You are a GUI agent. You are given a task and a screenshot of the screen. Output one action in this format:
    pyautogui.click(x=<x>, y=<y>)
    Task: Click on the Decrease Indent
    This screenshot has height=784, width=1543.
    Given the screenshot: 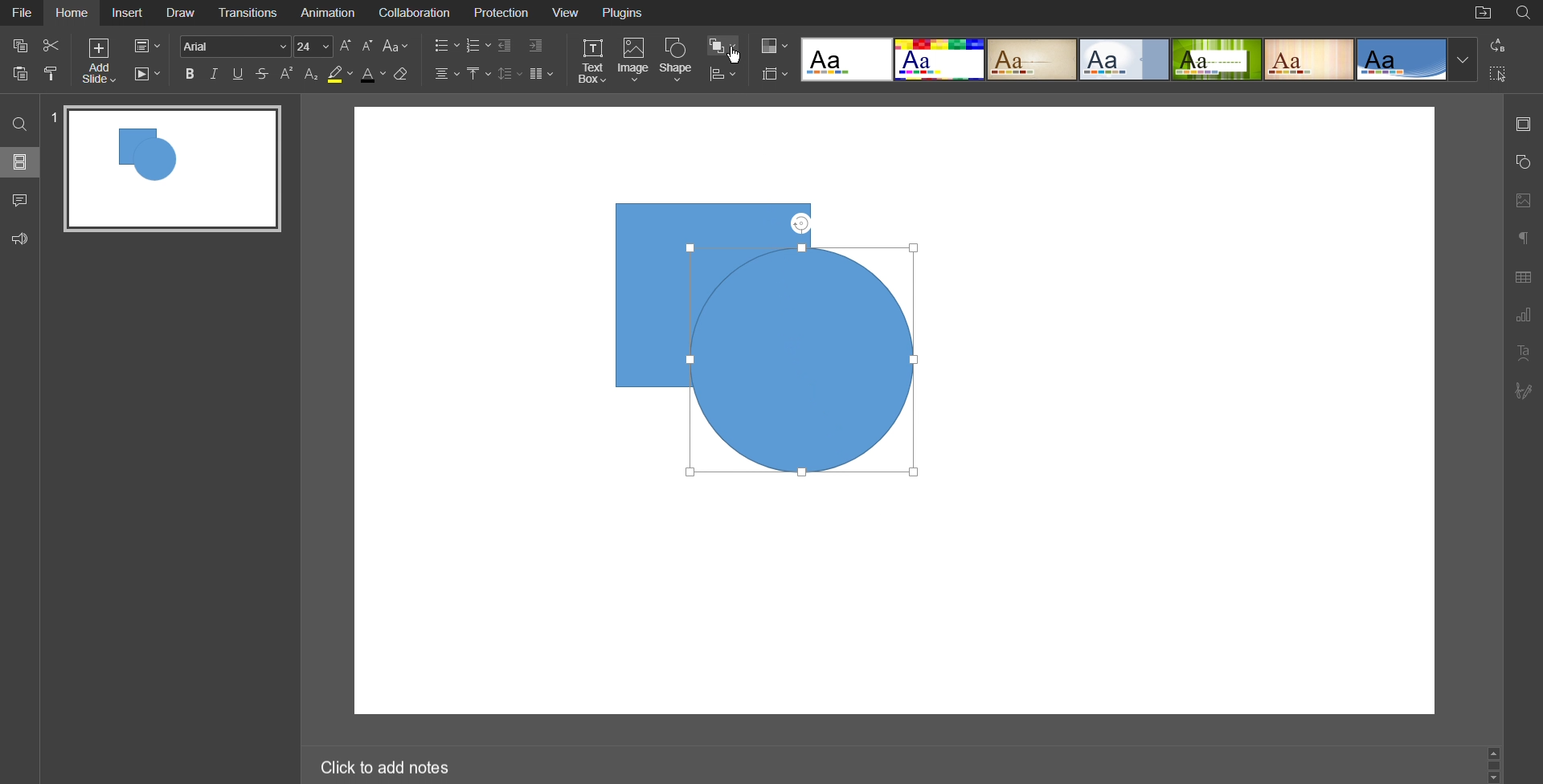 What is the action you would take?
    pyautogui.click(x=506, y=46)
    